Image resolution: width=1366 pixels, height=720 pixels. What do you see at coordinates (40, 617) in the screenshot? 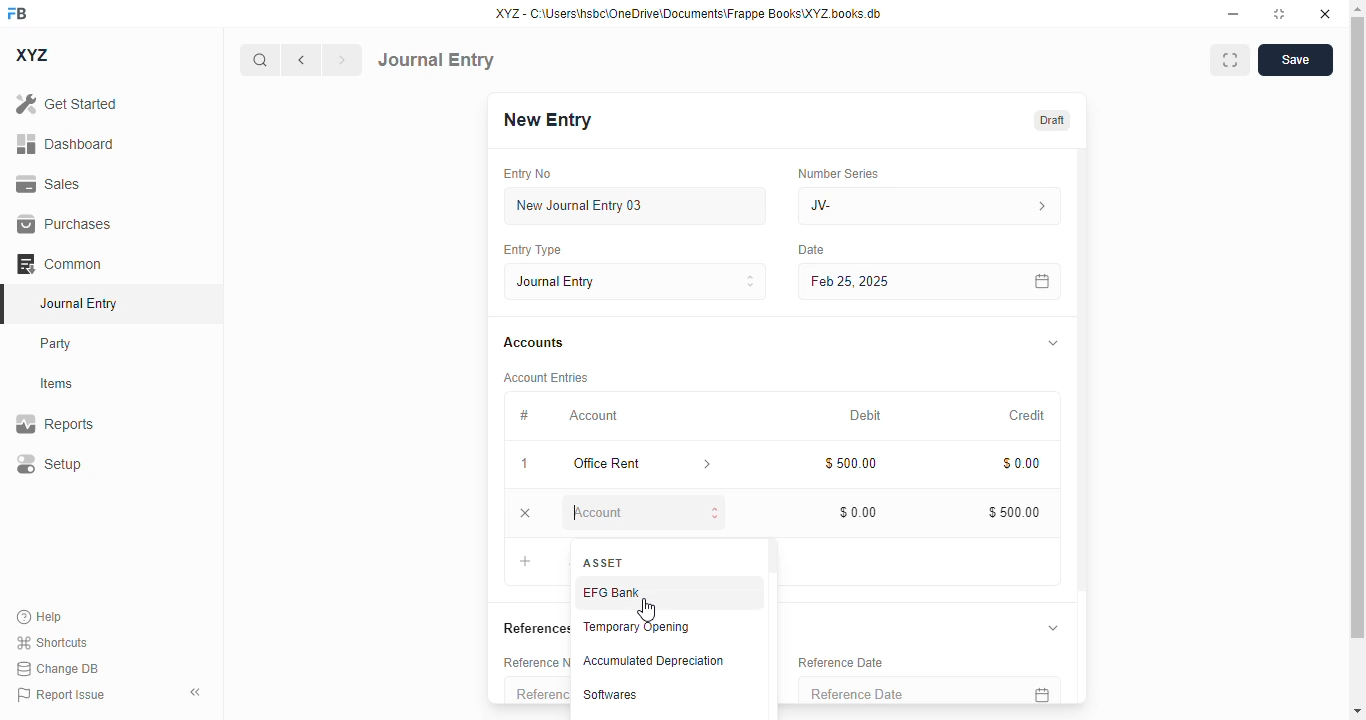
I see `help` at bounding box center [40, 617].